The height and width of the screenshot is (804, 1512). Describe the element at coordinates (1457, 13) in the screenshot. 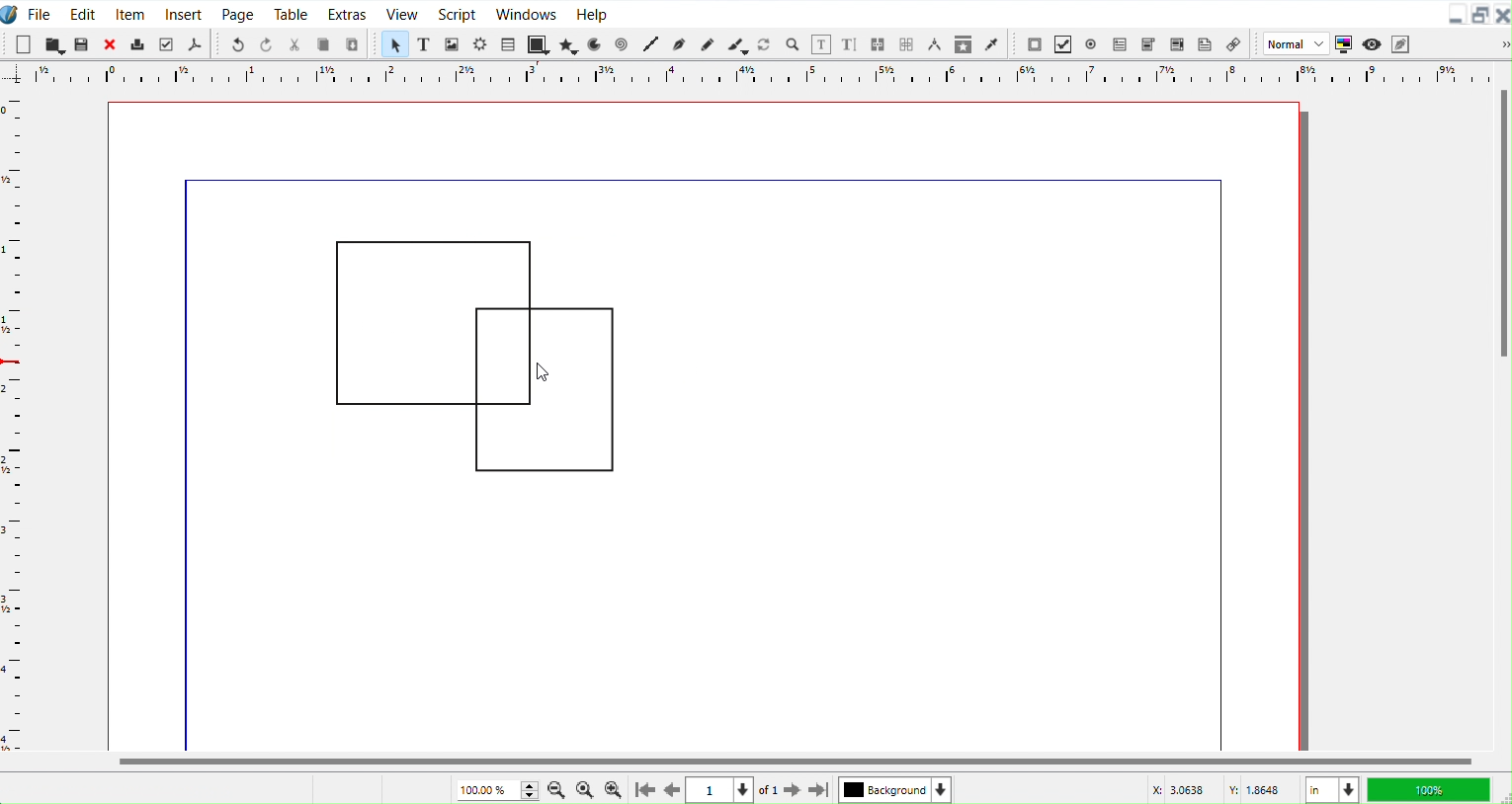

I see `Minimize` at that location.